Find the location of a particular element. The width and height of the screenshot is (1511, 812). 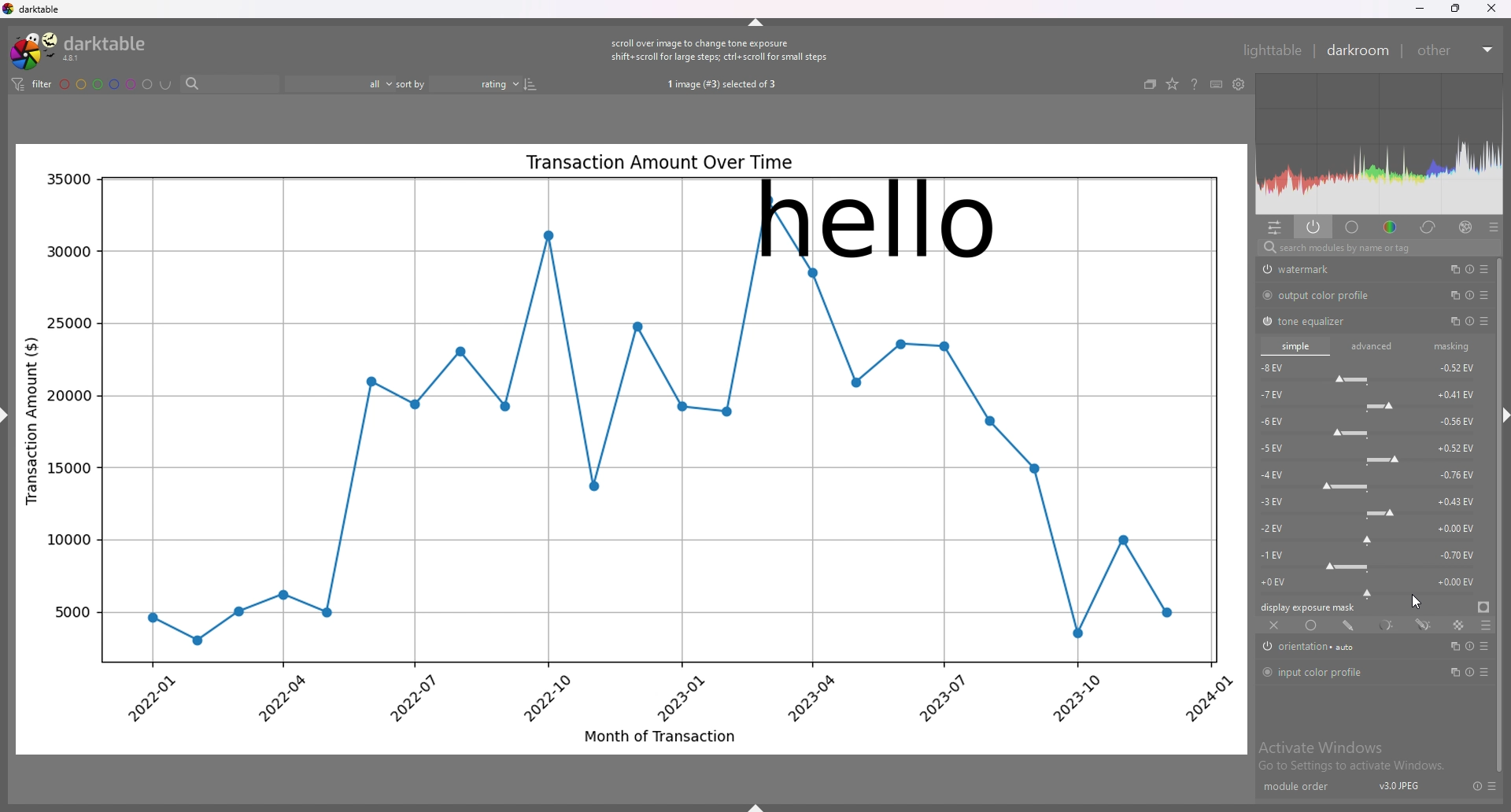

orientation is located at coordinates (1320, 648).